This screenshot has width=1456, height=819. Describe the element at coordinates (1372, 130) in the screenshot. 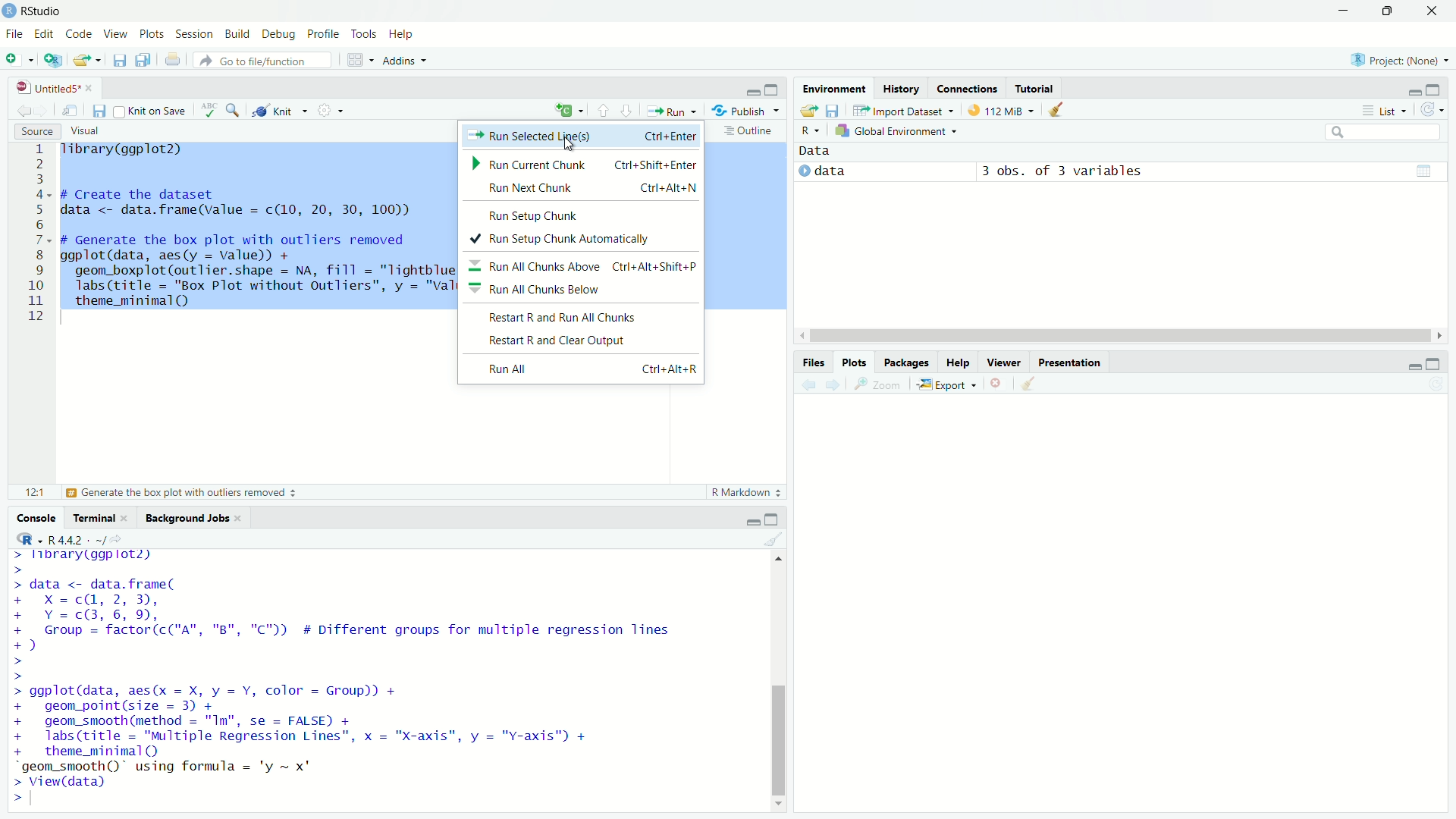

I see `search` at that location.